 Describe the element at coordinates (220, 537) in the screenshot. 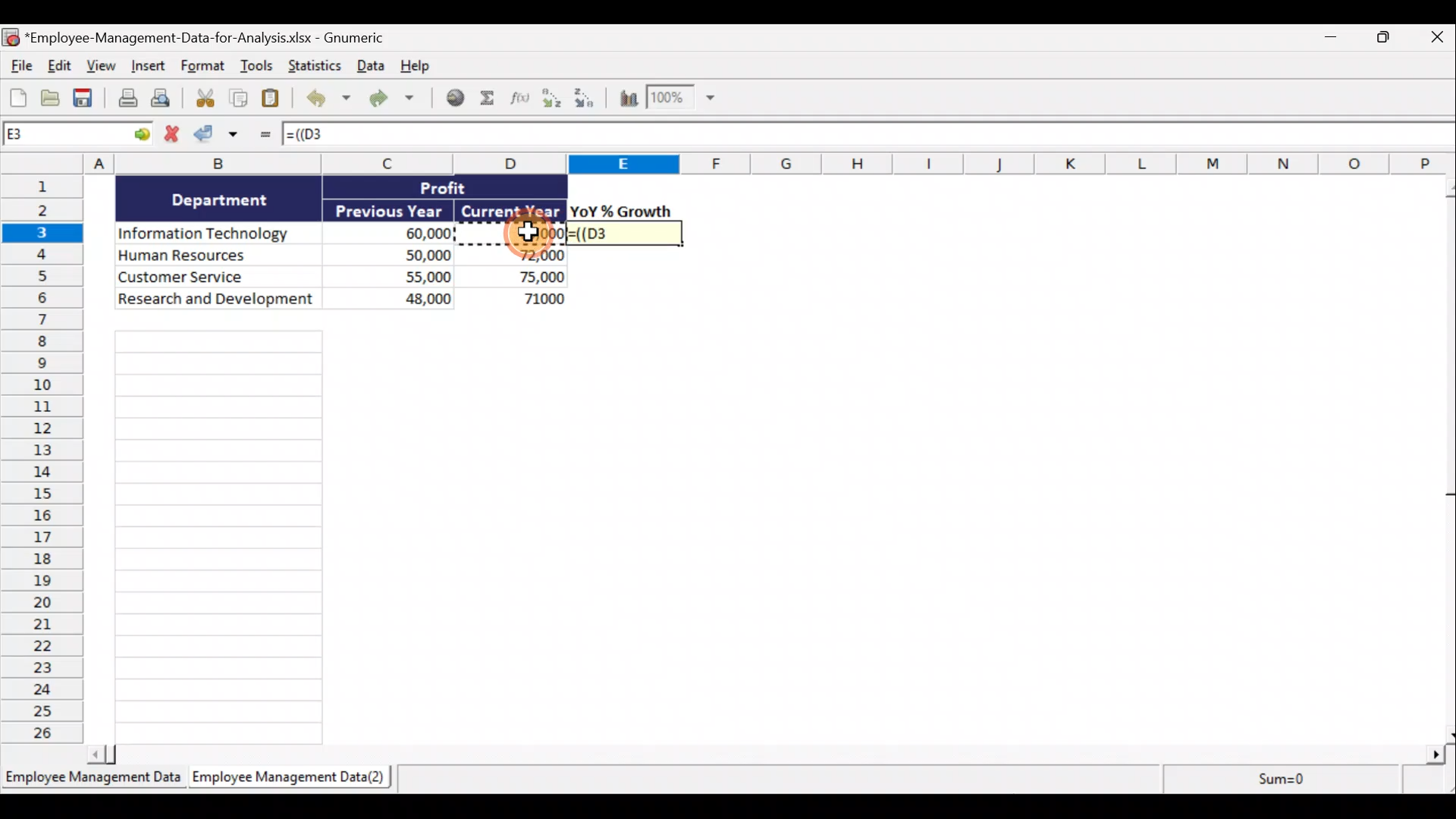

I see `Cells` at that location.